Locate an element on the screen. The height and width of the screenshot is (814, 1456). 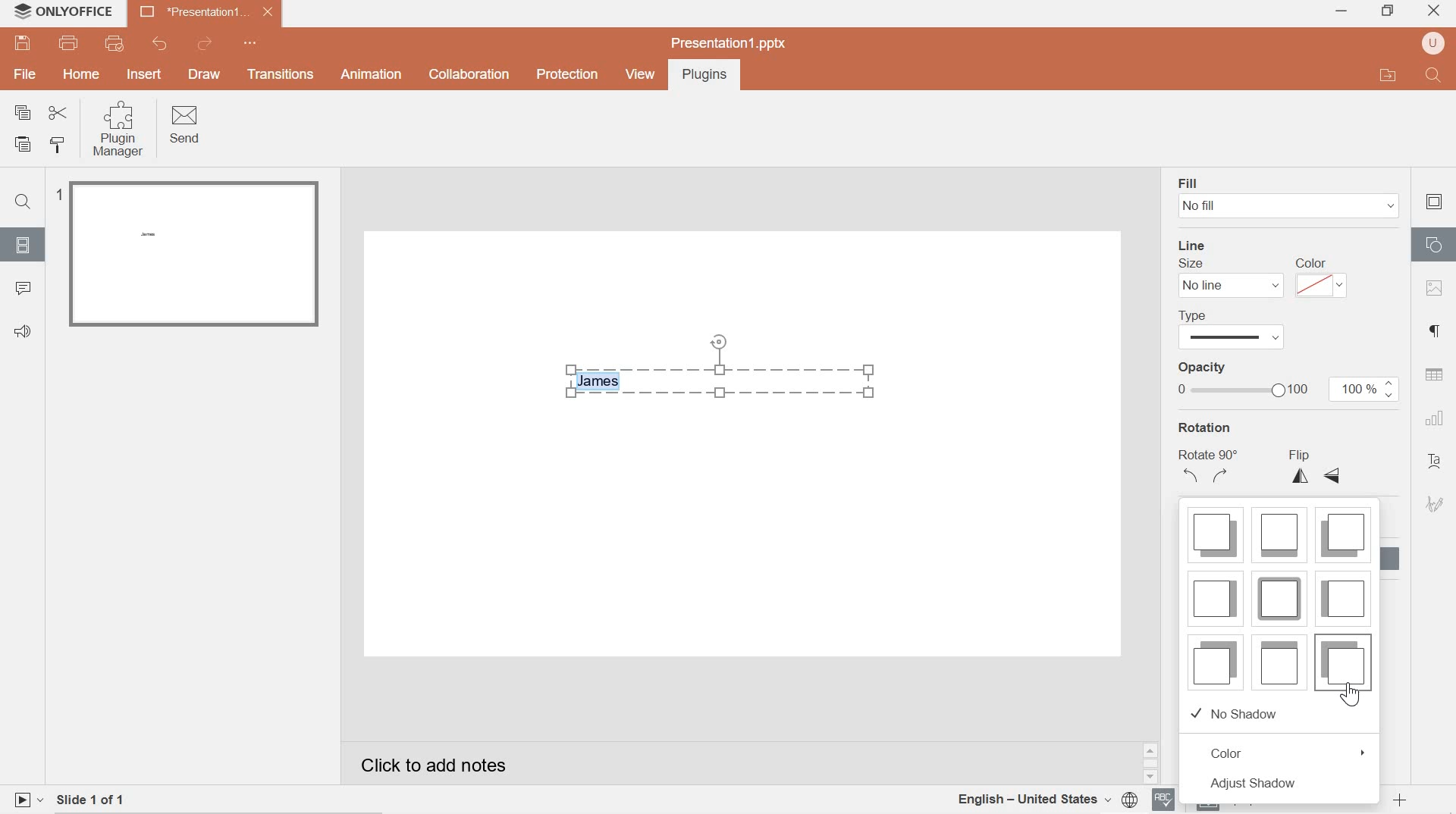
chart is located at coordinates (1434, 418).